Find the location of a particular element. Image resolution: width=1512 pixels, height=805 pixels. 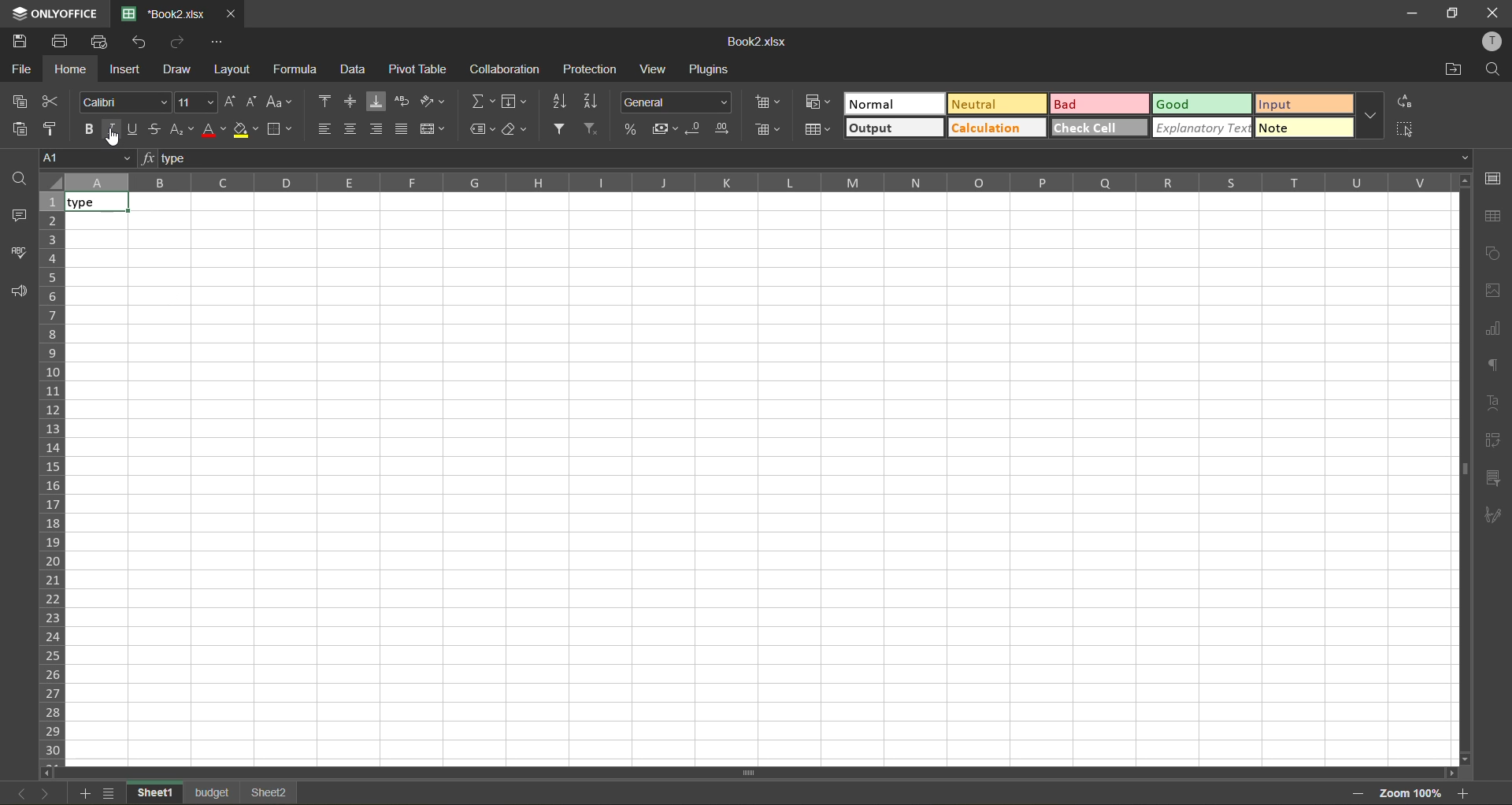

fields is located at coordinates (514, 104).